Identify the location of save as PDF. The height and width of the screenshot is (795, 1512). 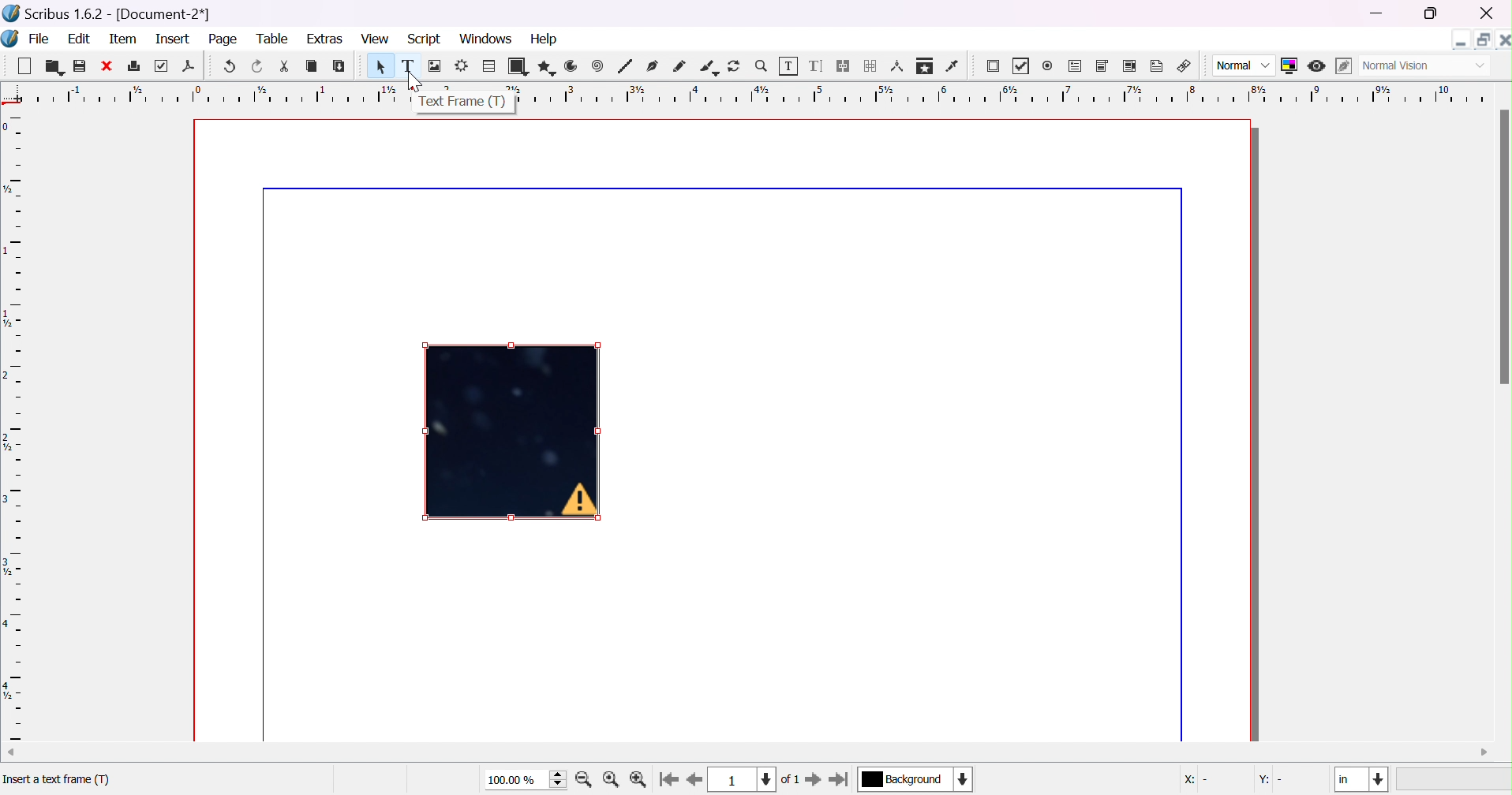
(188, 68).